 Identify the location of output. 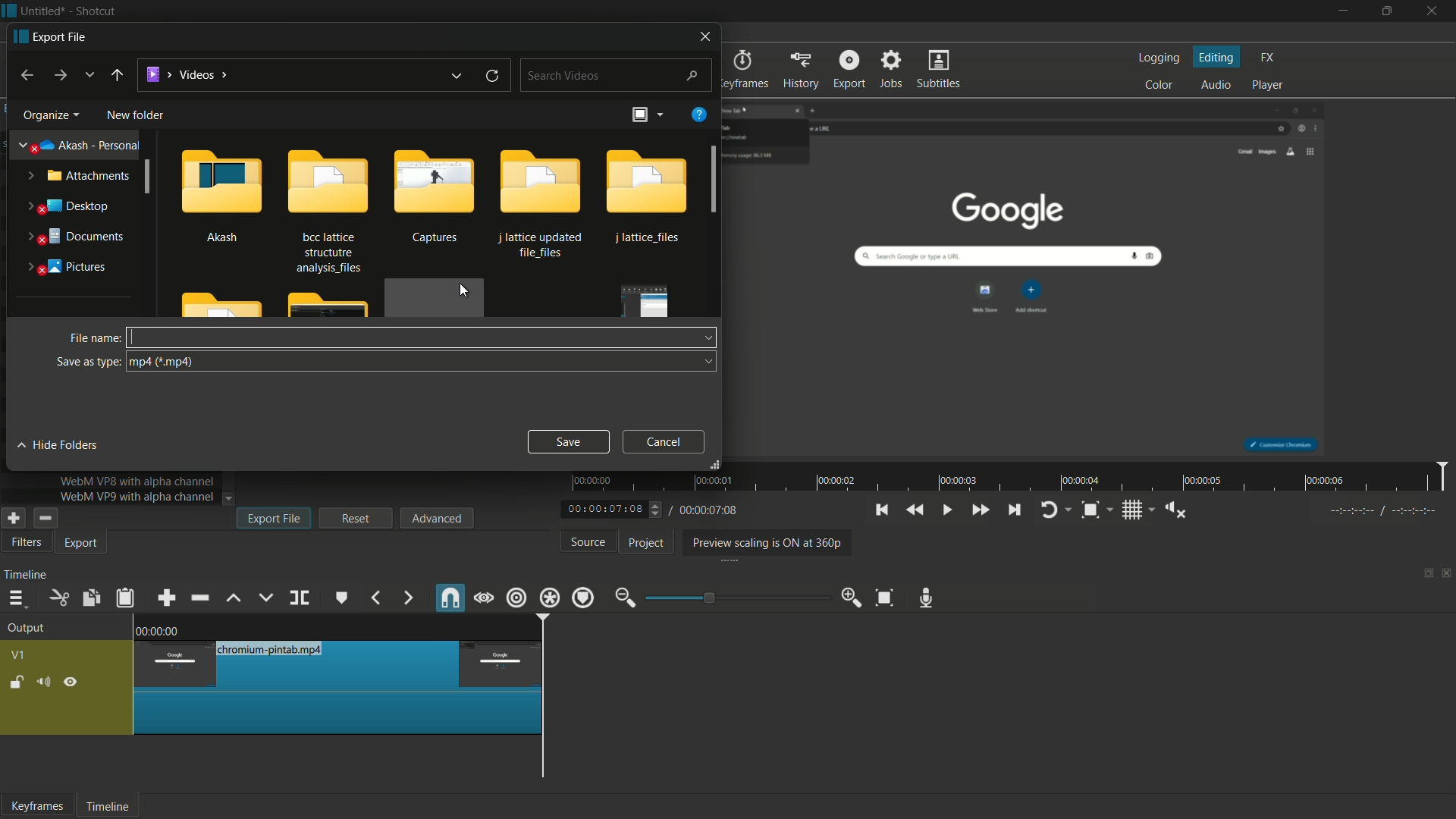
(30, 629).